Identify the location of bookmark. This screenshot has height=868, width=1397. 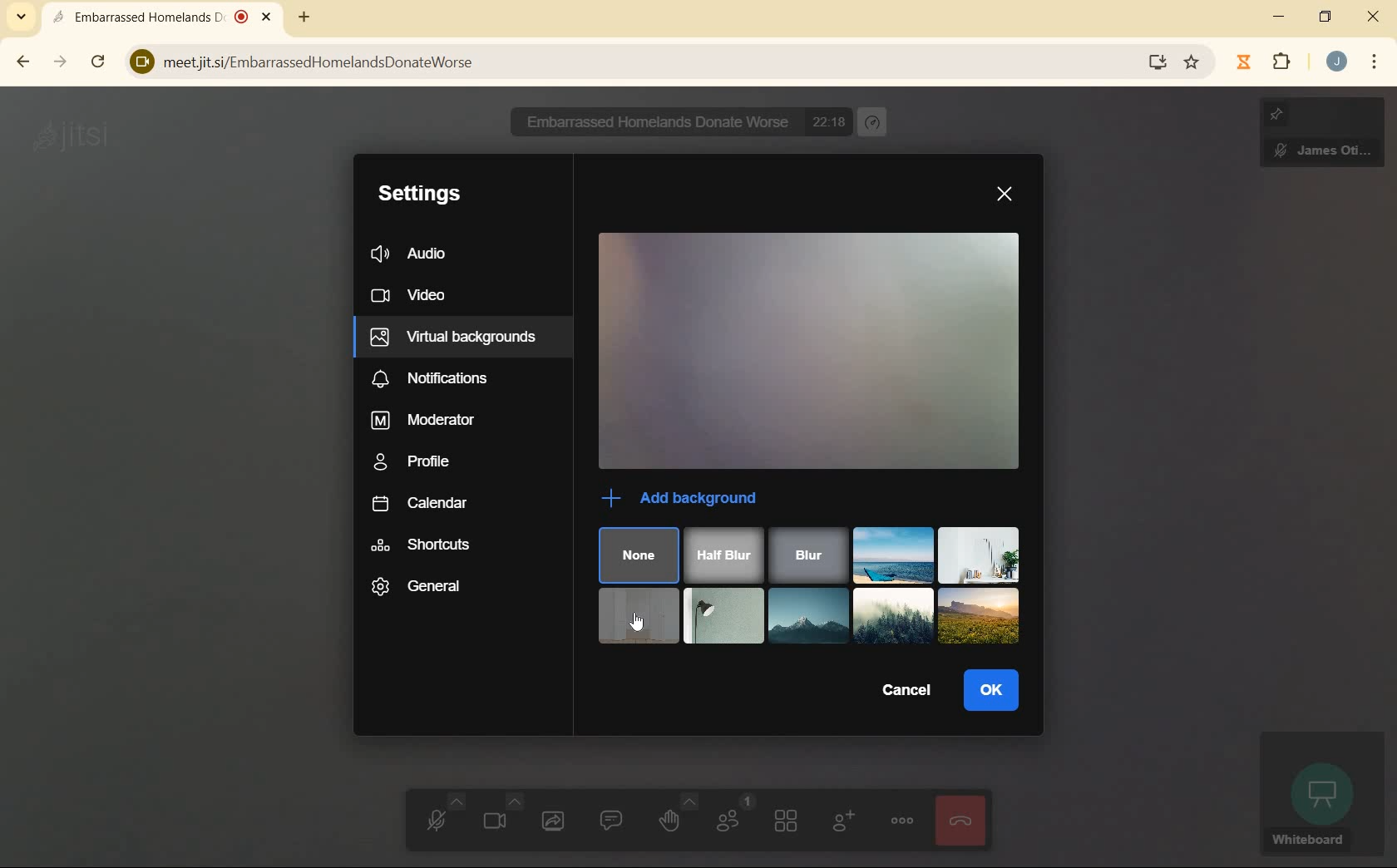
(1191, 62).